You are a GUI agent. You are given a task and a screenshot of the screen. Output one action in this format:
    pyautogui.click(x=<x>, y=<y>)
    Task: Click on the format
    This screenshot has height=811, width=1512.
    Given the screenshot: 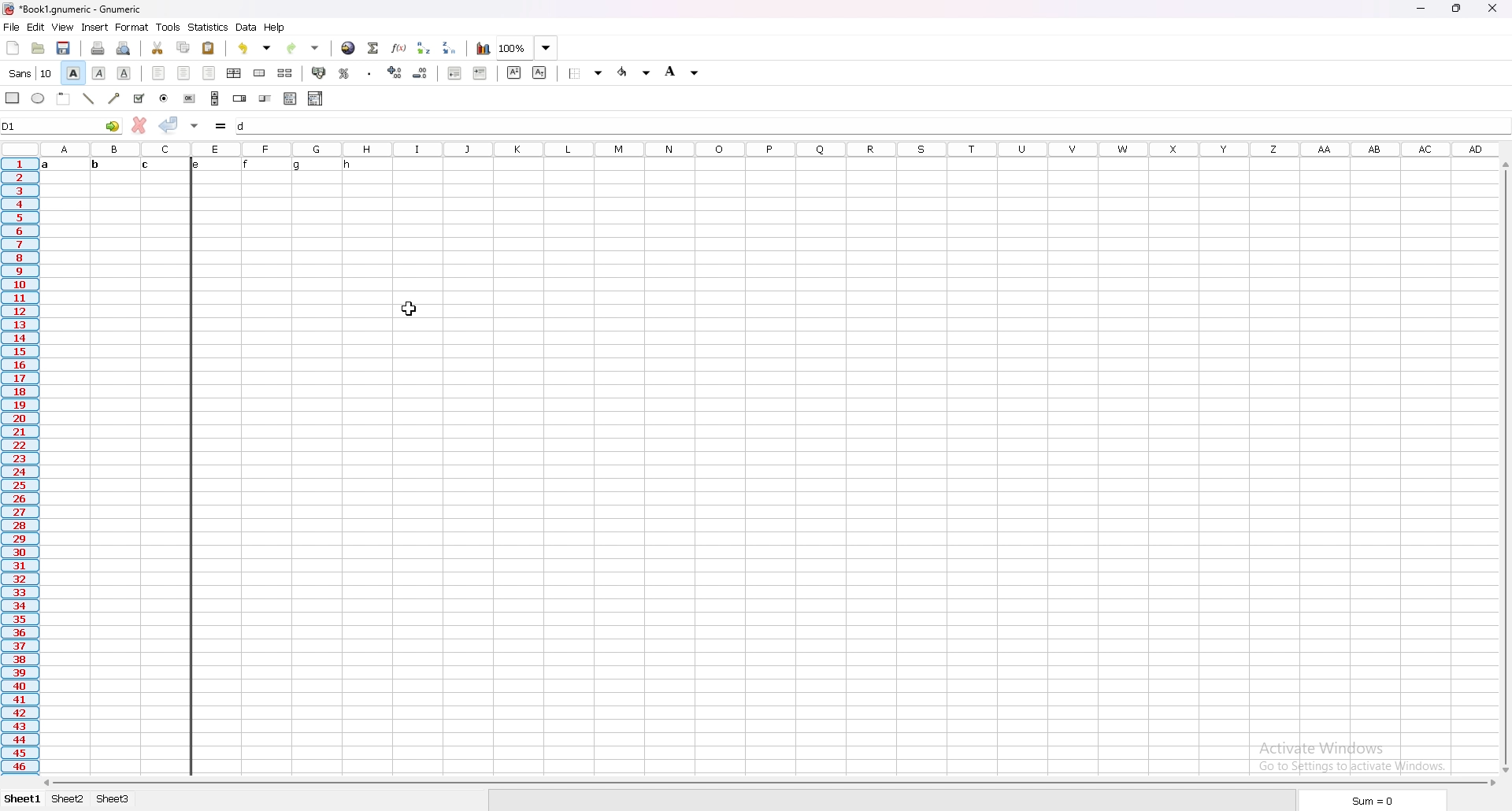 What is the action you would take?
    pyautogui.click(x=132, y=28)
    